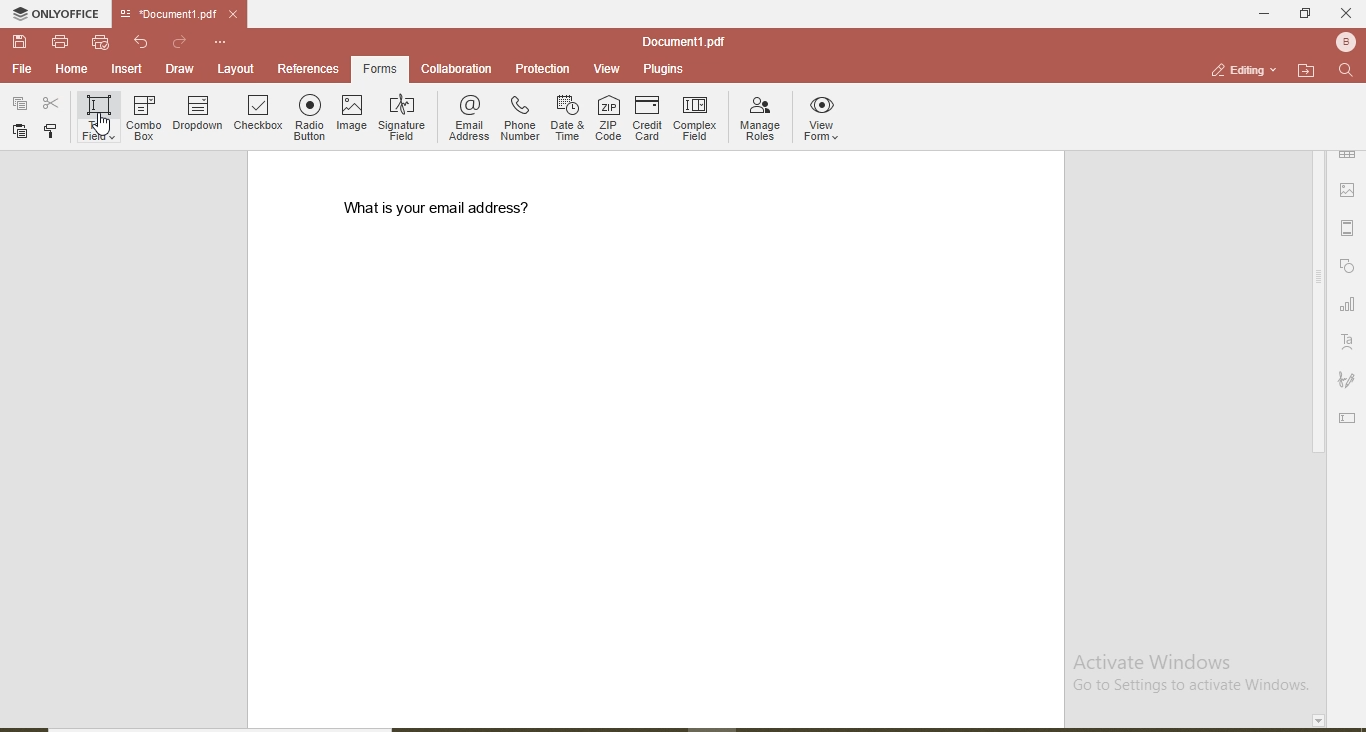 The width and height of the screenshot is (1366, 732). Describe the element at coordinates (240, 14) in the screenshot. I see `close file` at that location.